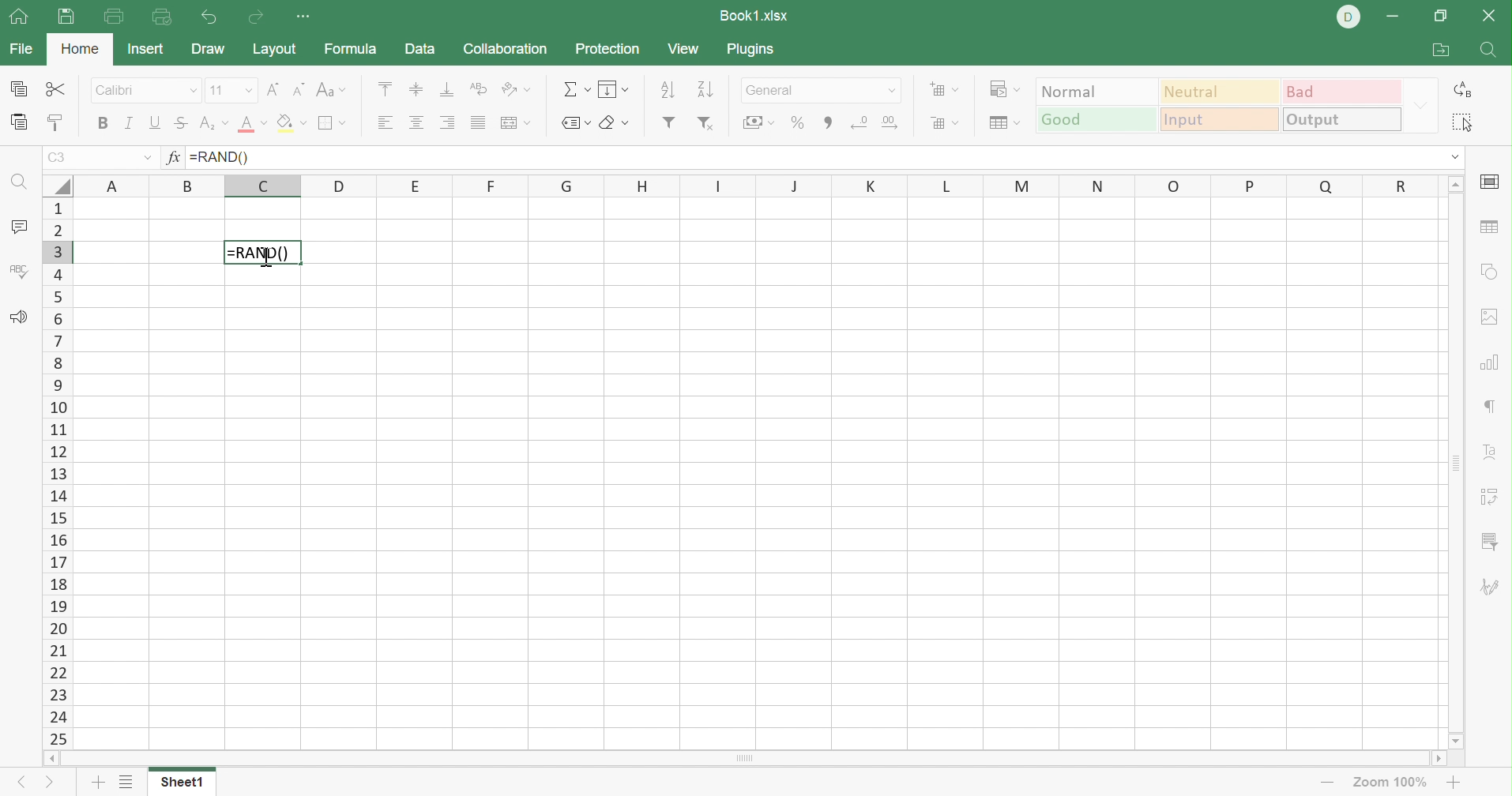 This screenshot has height=796, width=1512. Describe the element at coordinates (332, 125) in the screenshot. I see `Borders` at that location.